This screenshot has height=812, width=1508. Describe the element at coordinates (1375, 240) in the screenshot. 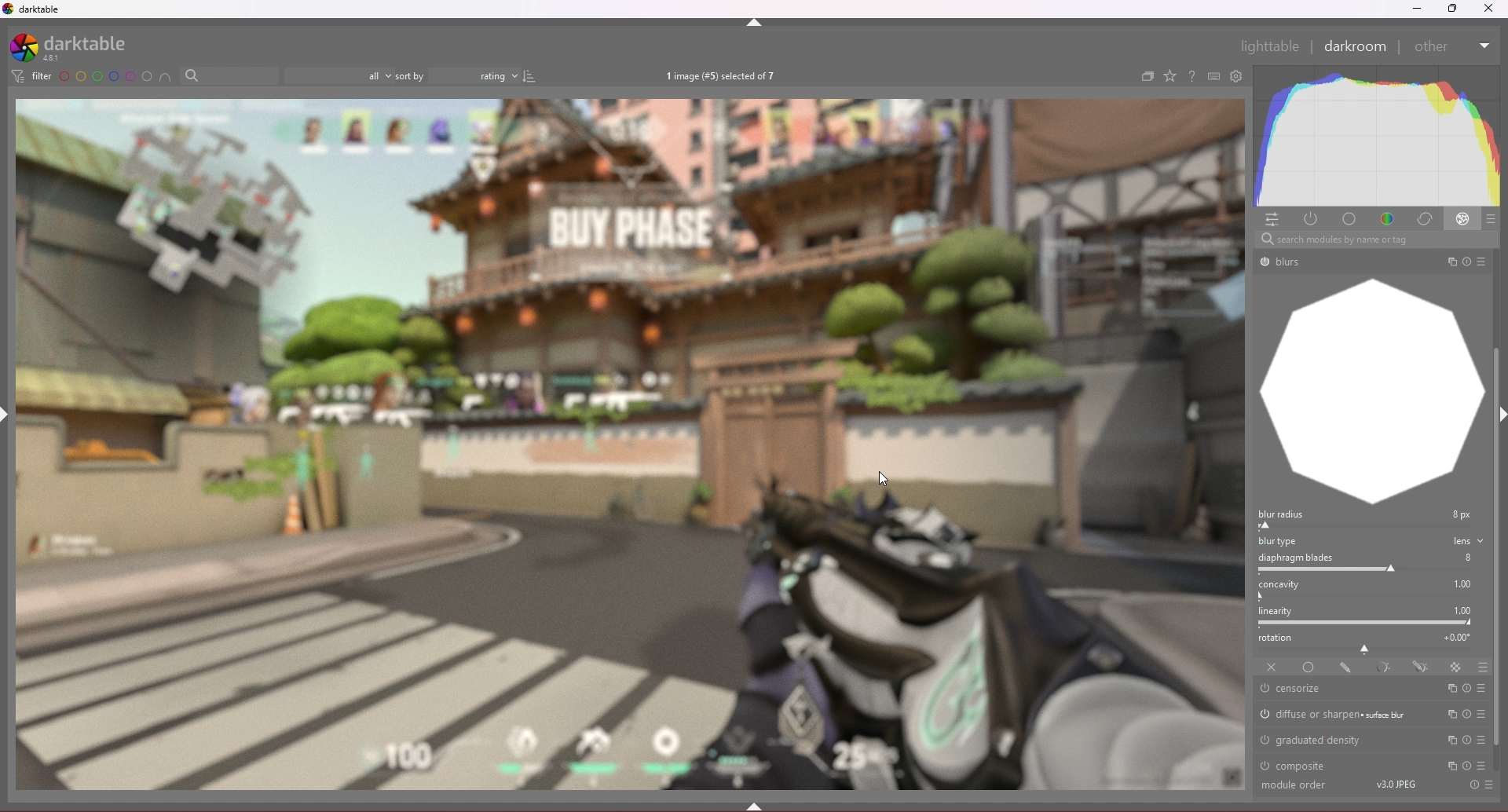

I see `` at that location.